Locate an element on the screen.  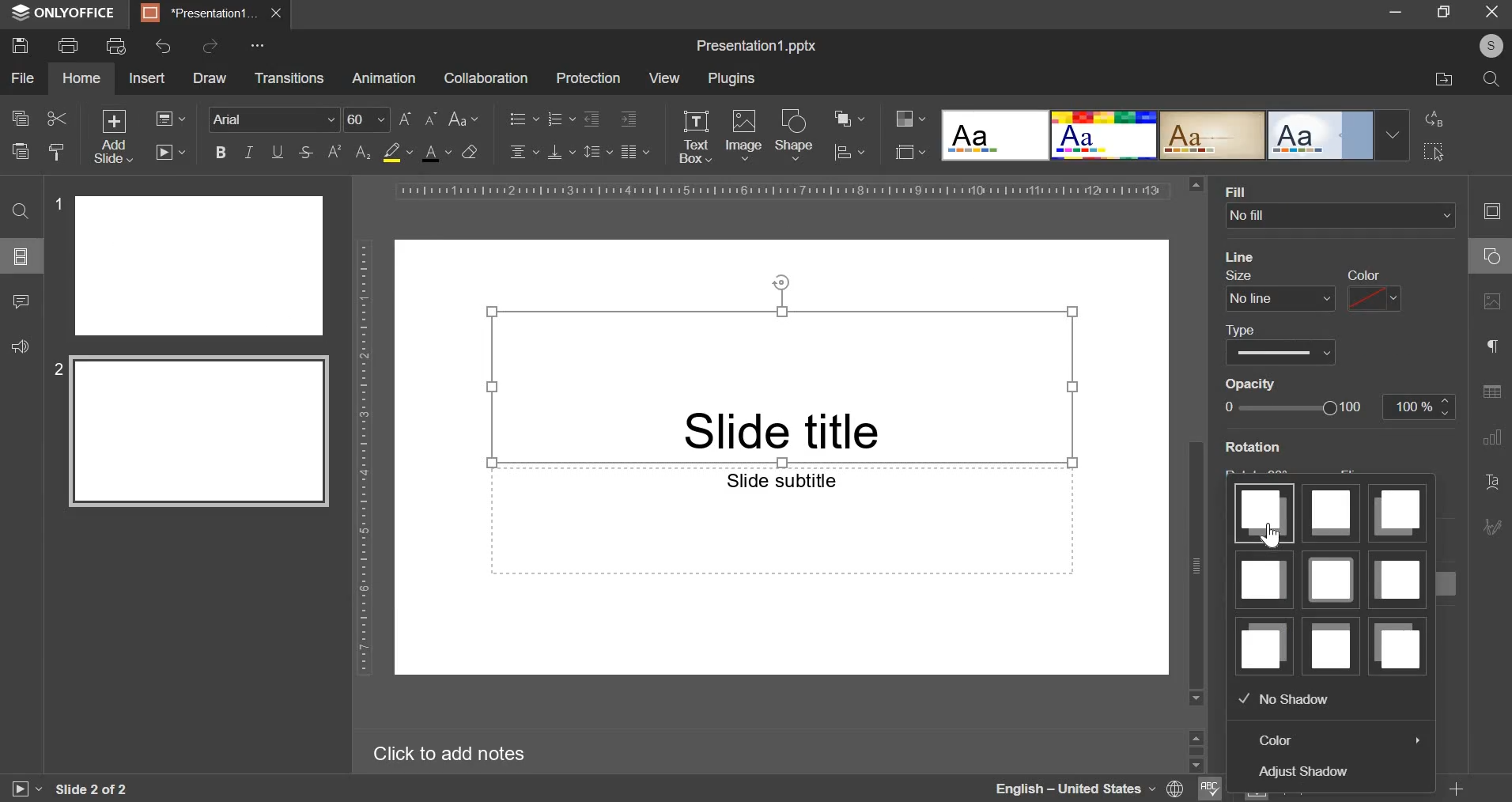
now shadow is located at coordinates (1284, 698).